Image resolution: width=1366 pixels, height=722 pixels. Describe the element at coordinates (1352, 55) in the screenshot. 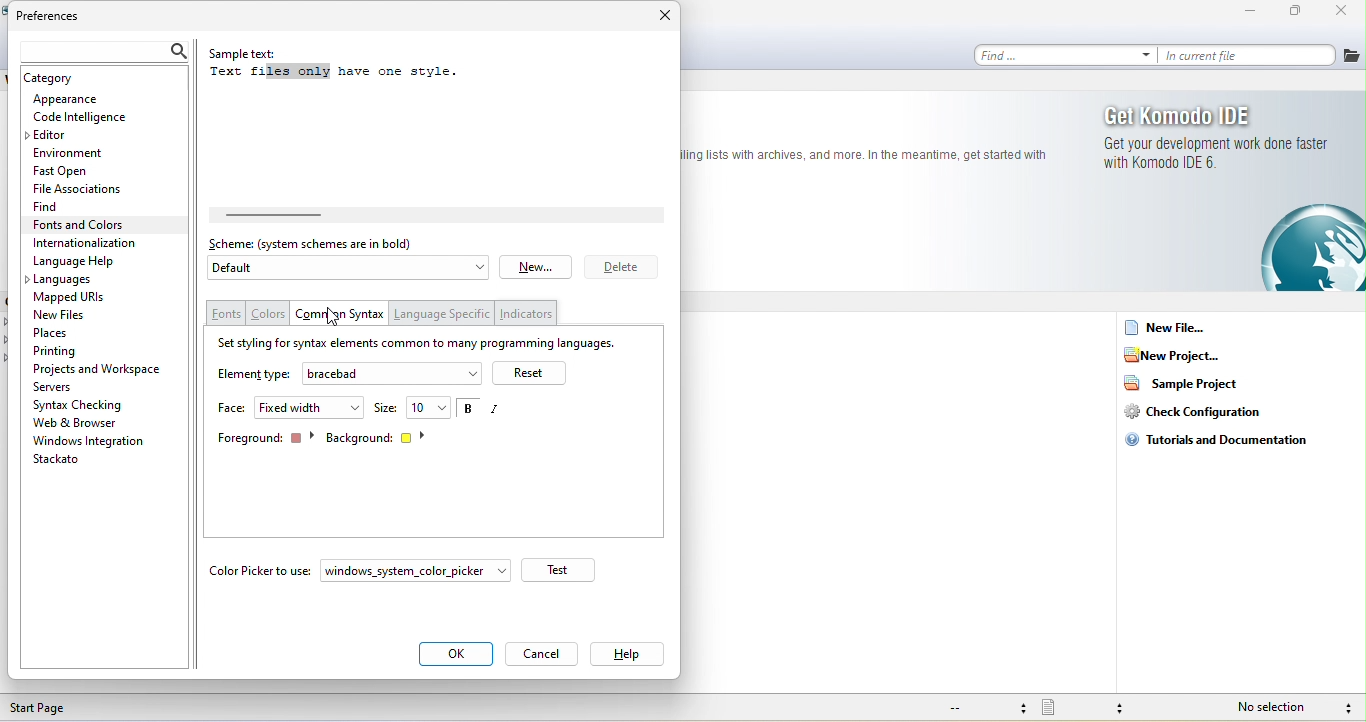

I see `file` at that location.